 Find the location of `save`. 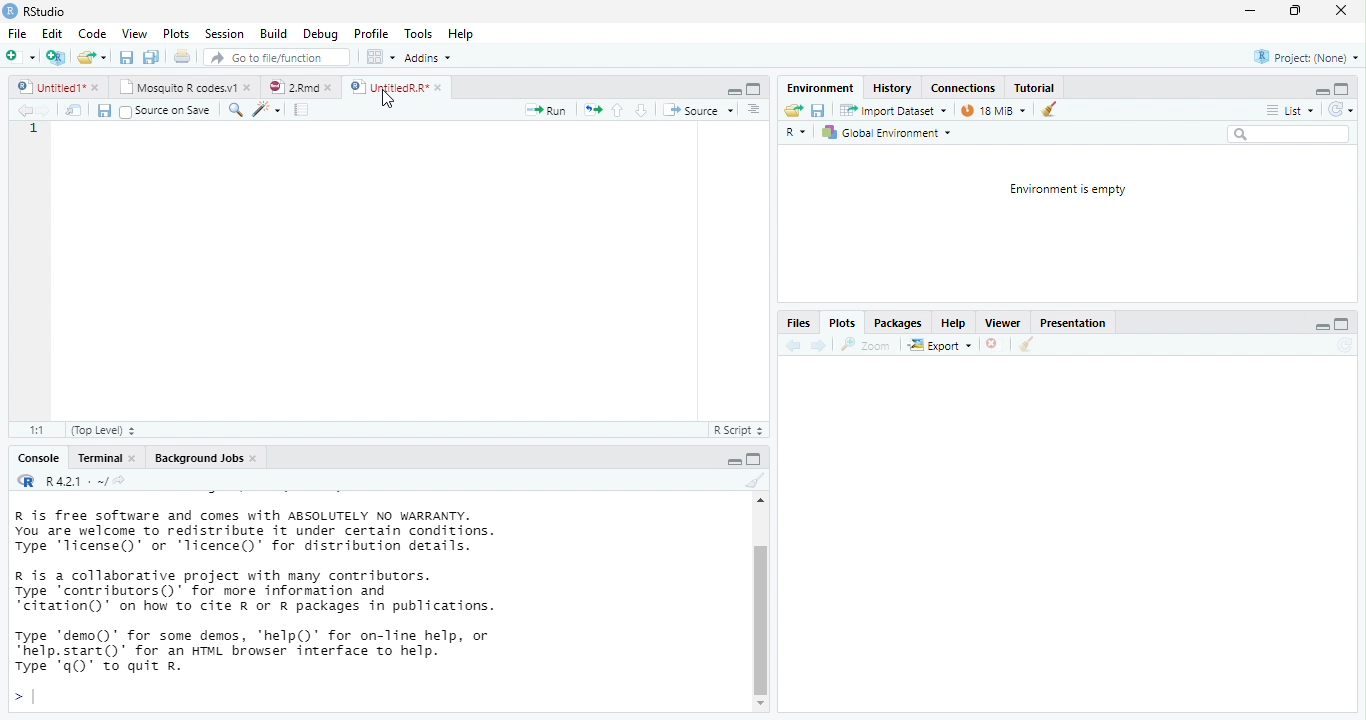

save is located at coordinates (103, 111).